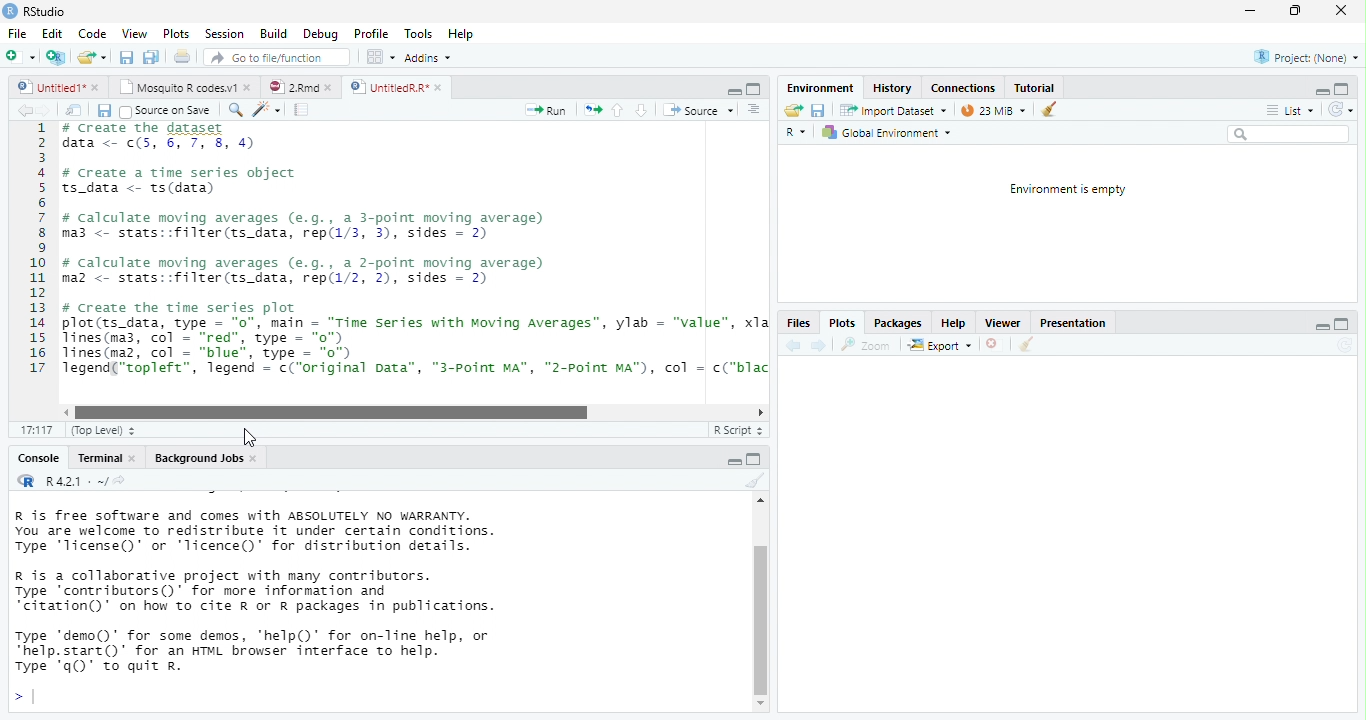 The height and width of the screenshot is (720, 1366). Describe the element at coordinates (399, 261) in the screenshot. I see `1 # create the dataset data <- ¢(5, 6, 7, 8, 4)34 # create a time series object5 ts_data <- ts(data)67 # calculate moving averages (e.g., a 3-point moving average)8 ma3 <- stats::filter(ts_data, rep(1/3, 3), sides = 2)910 # calculate moving averages (e.g., a 2-point moving average)11 maz <- stats::filter(ts_data, rep(1/2, 2), sides = 2)1213 # Create the time series plot14 plot(ts_data, type = "0", main = “Time Series with Moving Averages”, ylab = "value", xla15 lines(ma3, col - “red”, type = "0")16 lines(maz, col = “blue”, type = "o")17 Tegend(“topleft”, legend = c("original Data”, “"3-Point MA”, "2-Point MA"), col = c("blac` at that location.